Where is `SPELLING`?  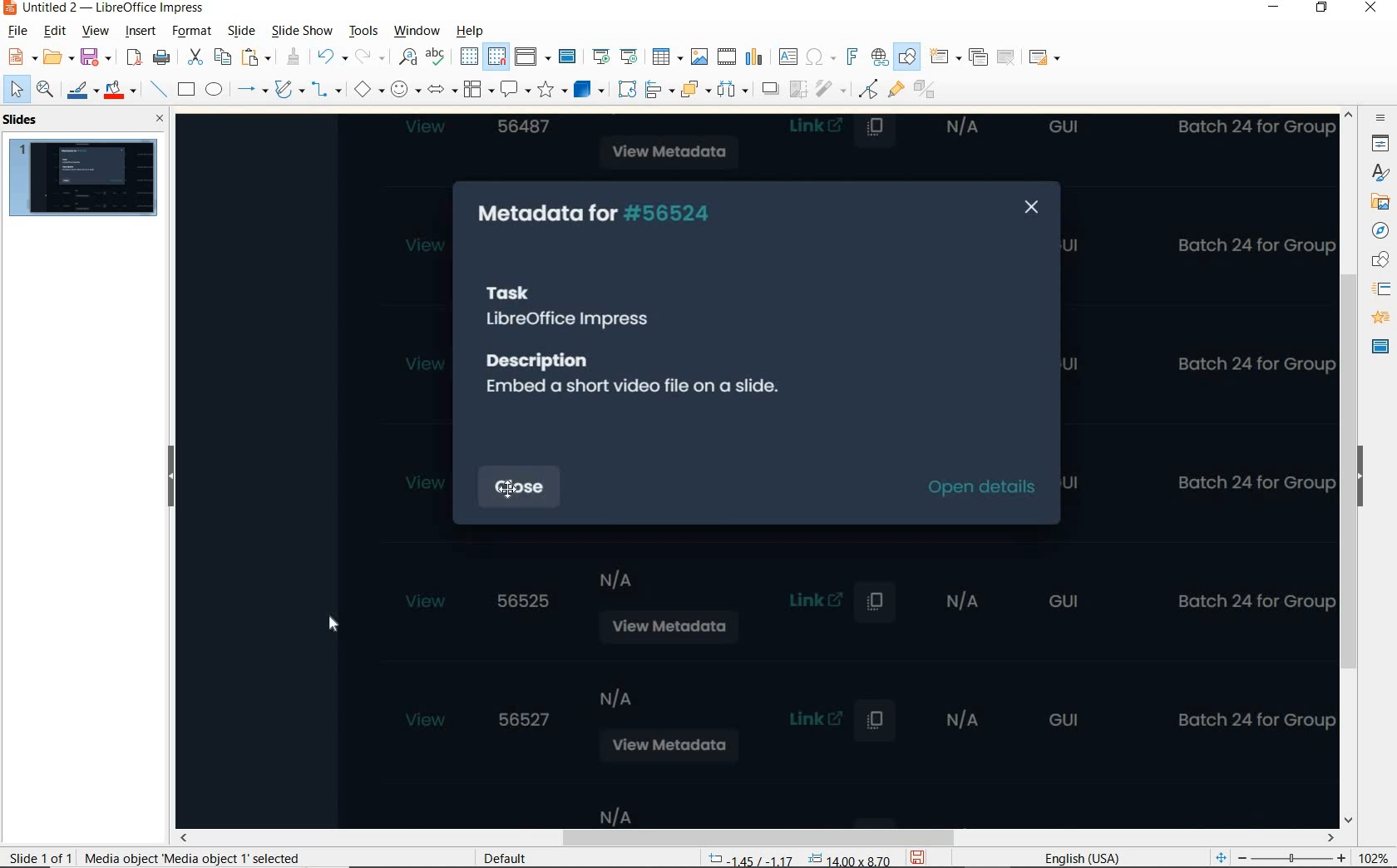 SPELLING is located at coordinates (437, 57).